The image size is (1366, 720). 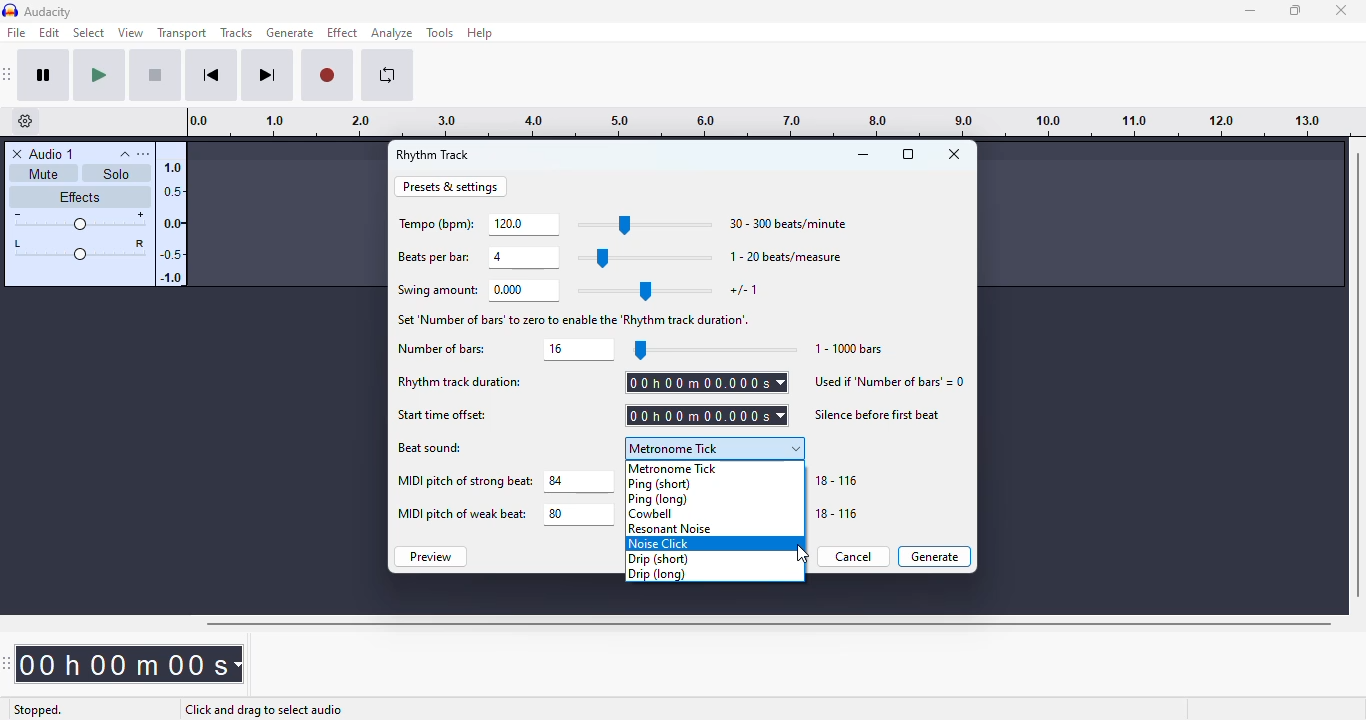 I want to click on set number of bars, so click(x=579, y=349).